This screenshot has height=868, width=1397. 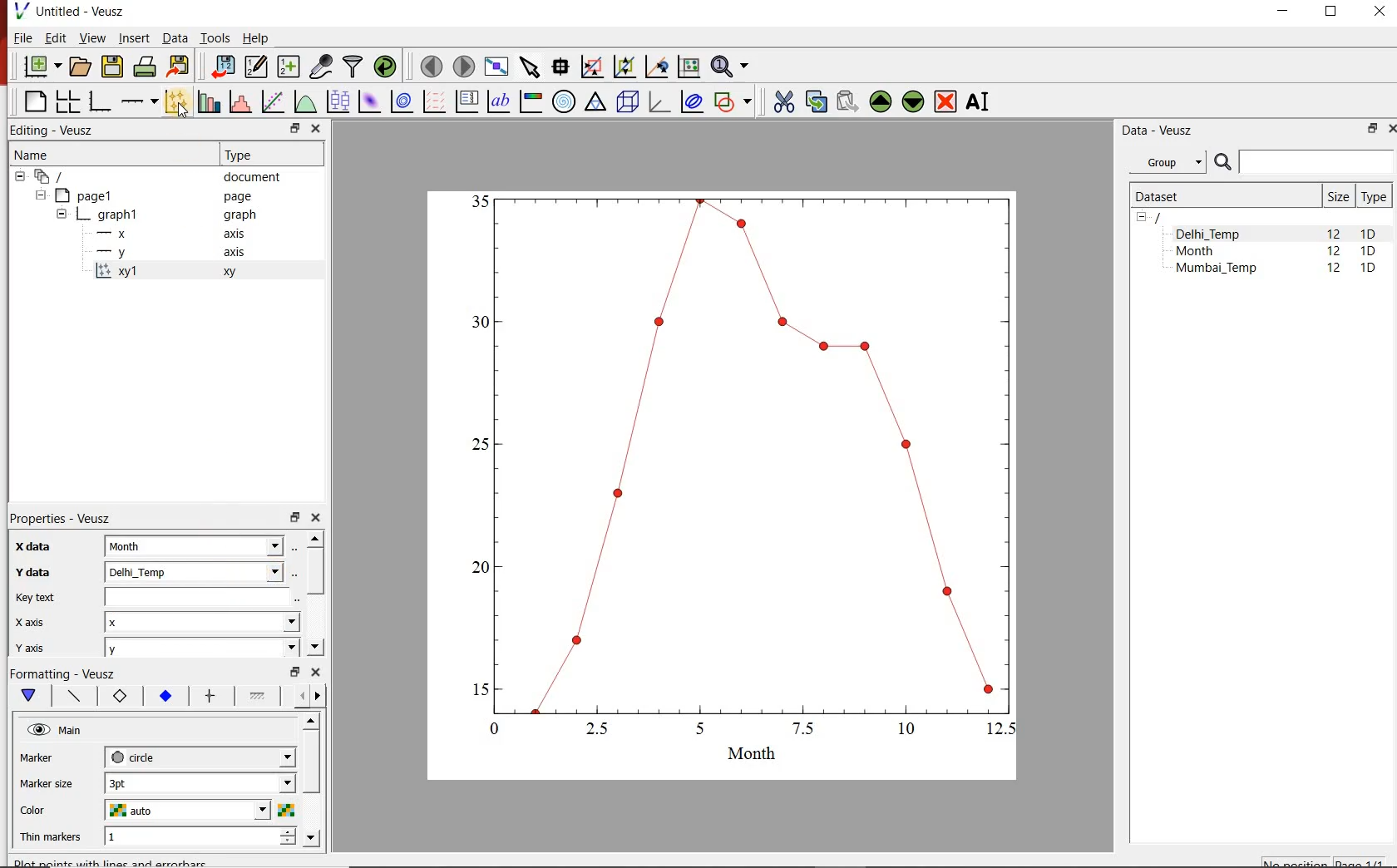 I want to click on Data - Veusz, so click(x=1160, y=131).